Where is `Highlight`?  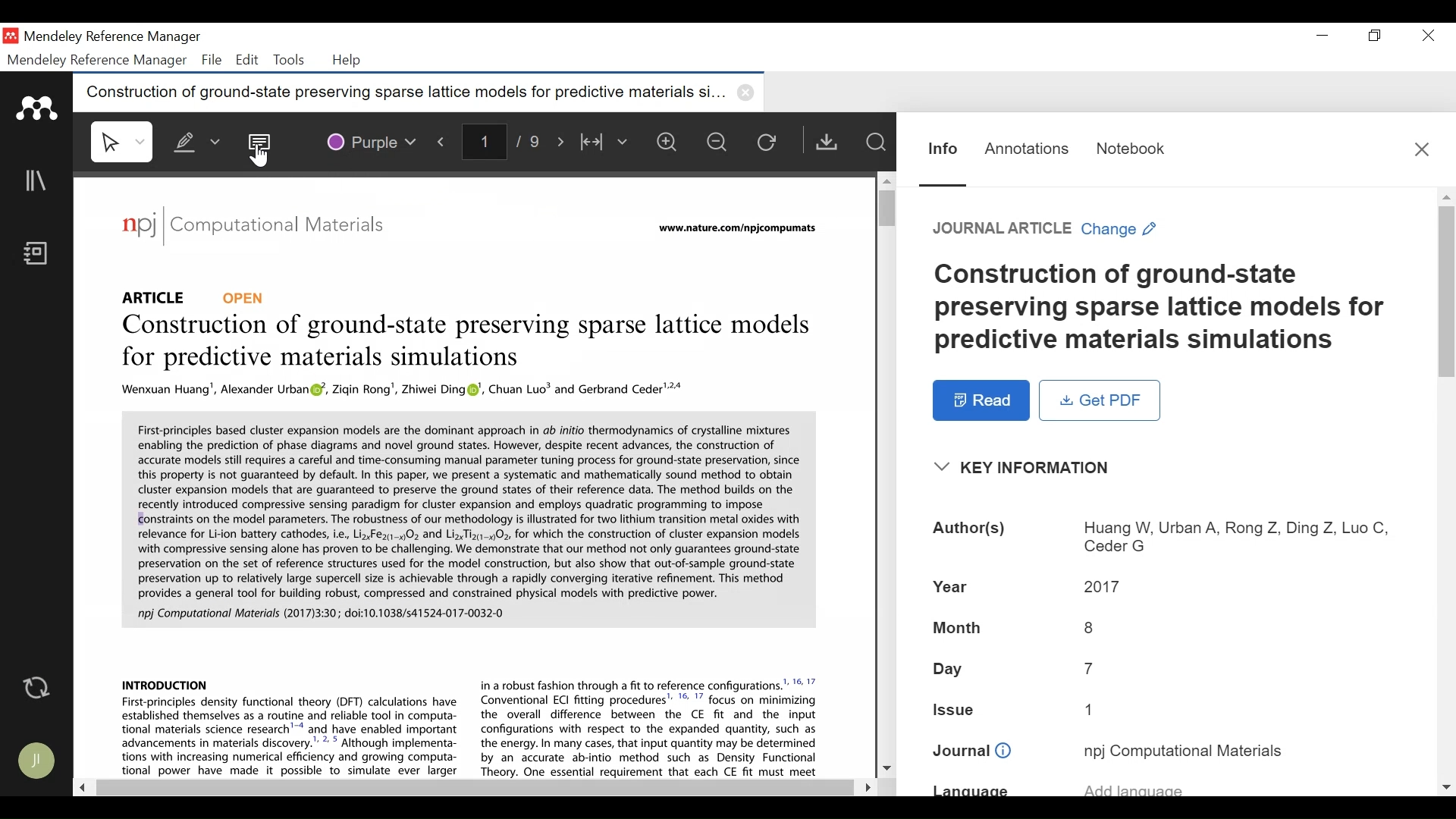 Highlight is located at coordinates (193, 139).